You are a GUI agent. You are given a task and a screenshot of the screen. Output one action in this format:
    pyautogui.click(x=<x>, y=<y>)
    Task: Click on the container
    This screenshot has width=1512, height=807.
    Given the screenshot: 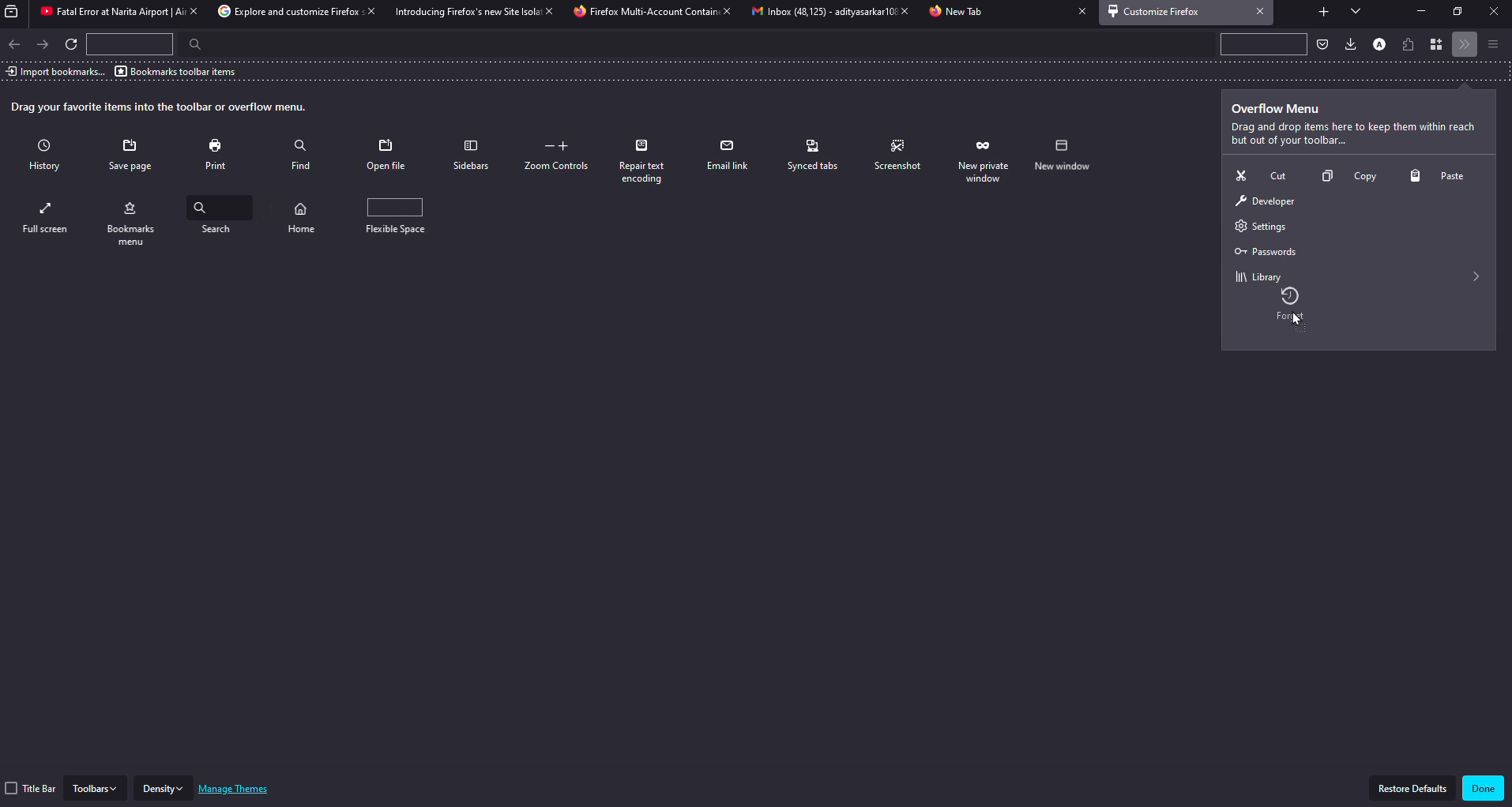 What is the action you would take?
    pyautogui.click(x=1439, y=45)
    